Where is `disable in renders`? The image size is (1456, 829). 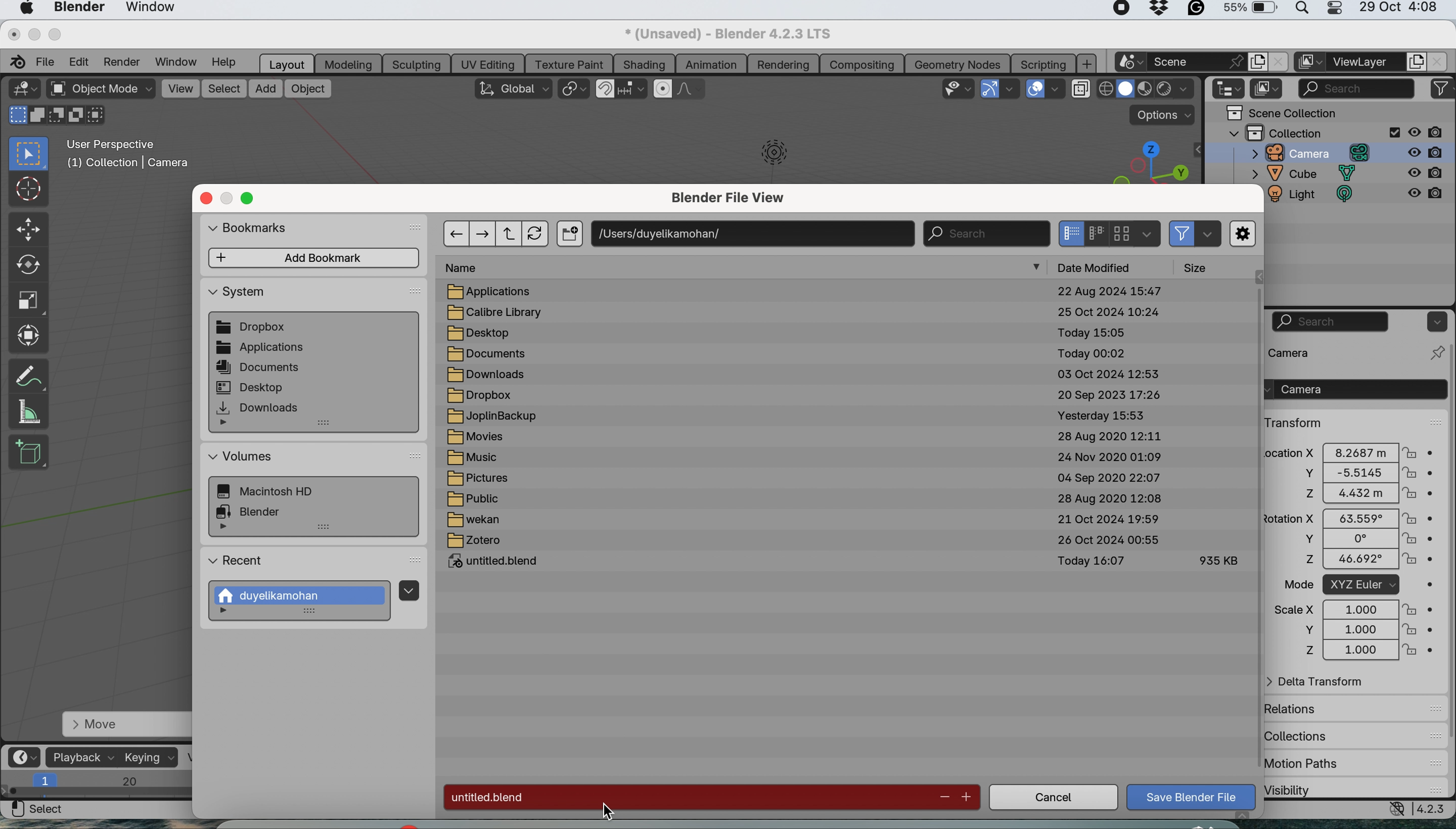 disable in renders is located at coordinates (1428, 132).